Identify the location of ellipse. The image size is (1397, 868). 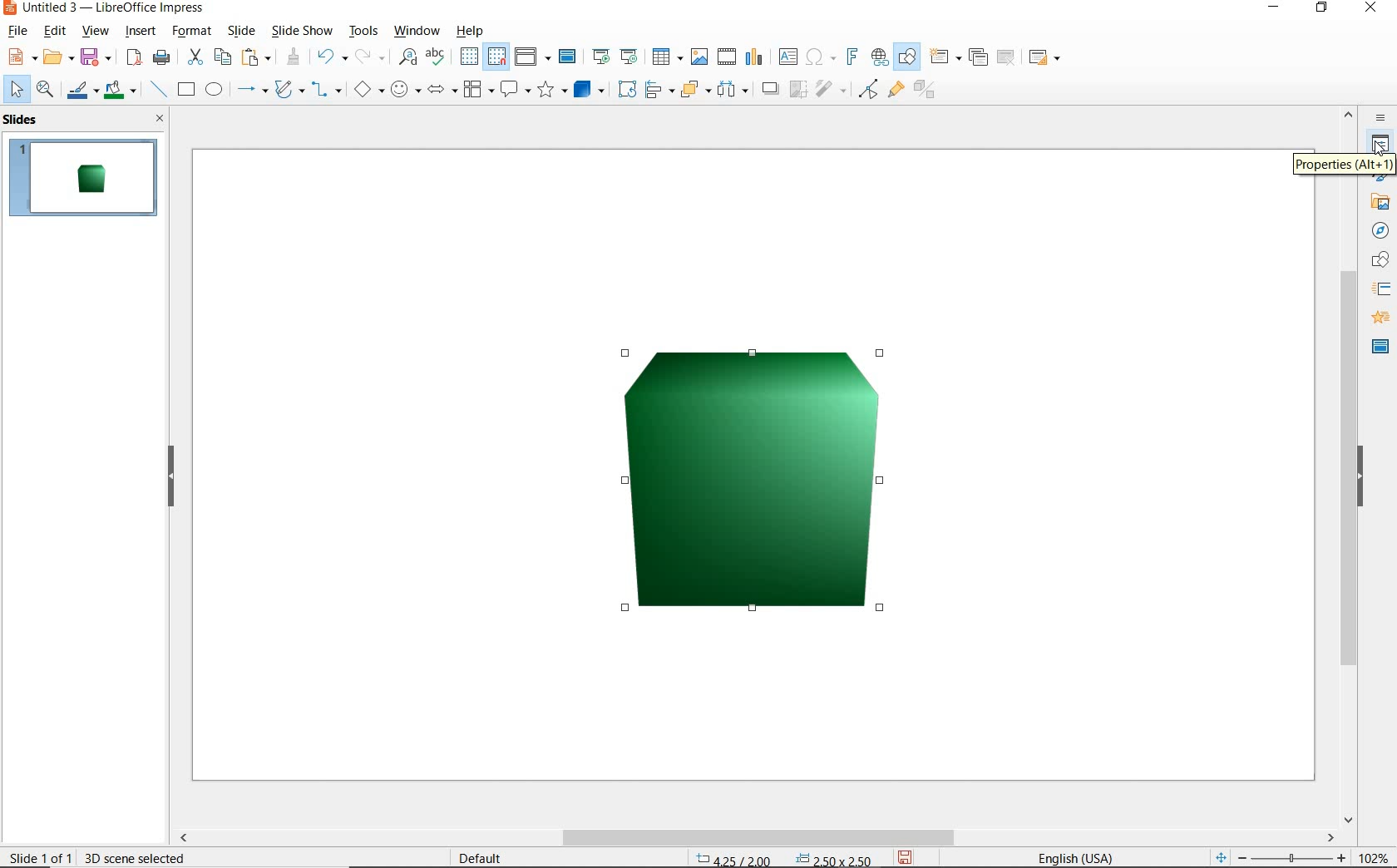
(214, 90).